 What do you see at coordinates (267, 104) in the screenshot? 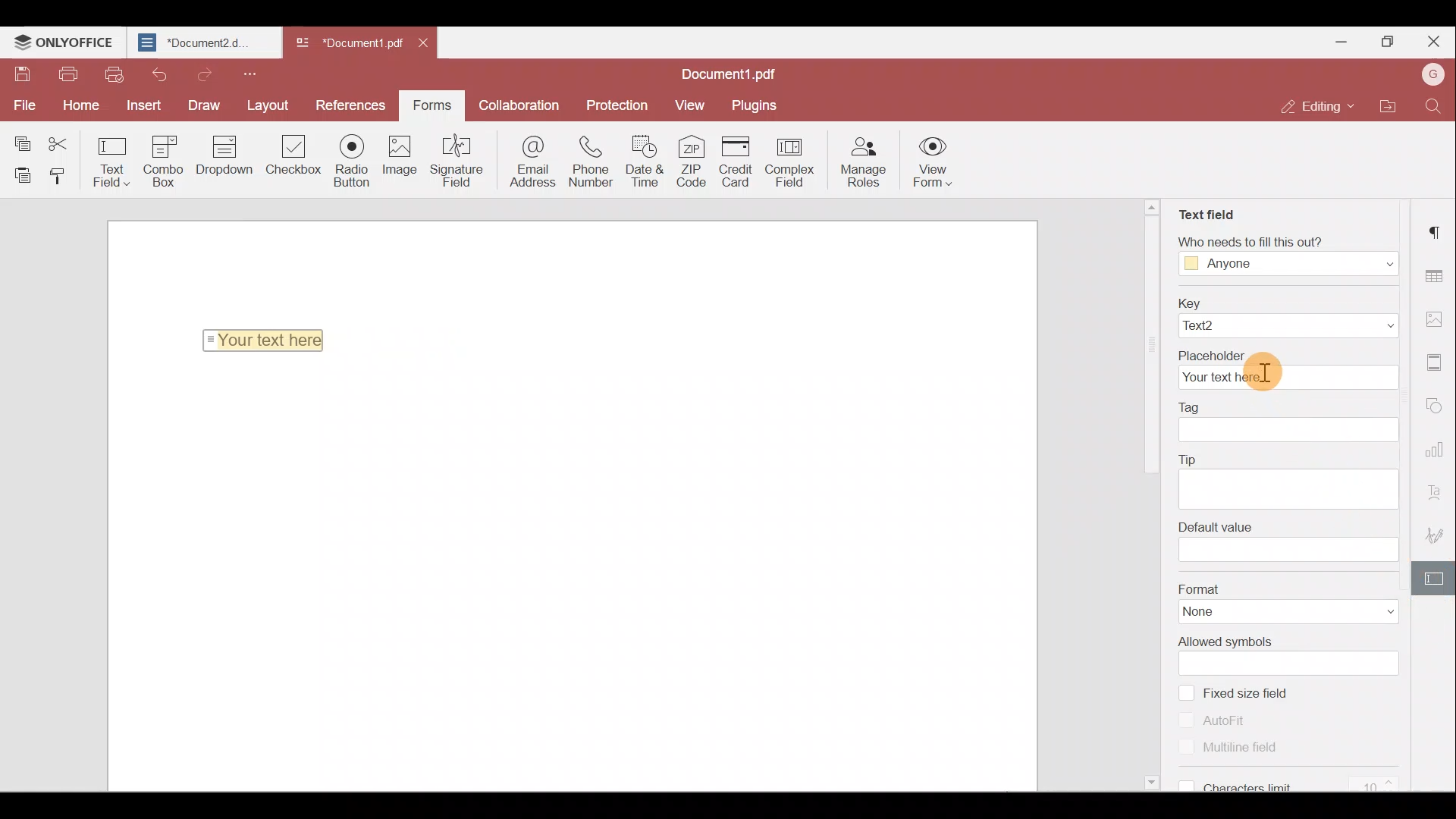
I see `Layout` at bounding box center [267, 104].